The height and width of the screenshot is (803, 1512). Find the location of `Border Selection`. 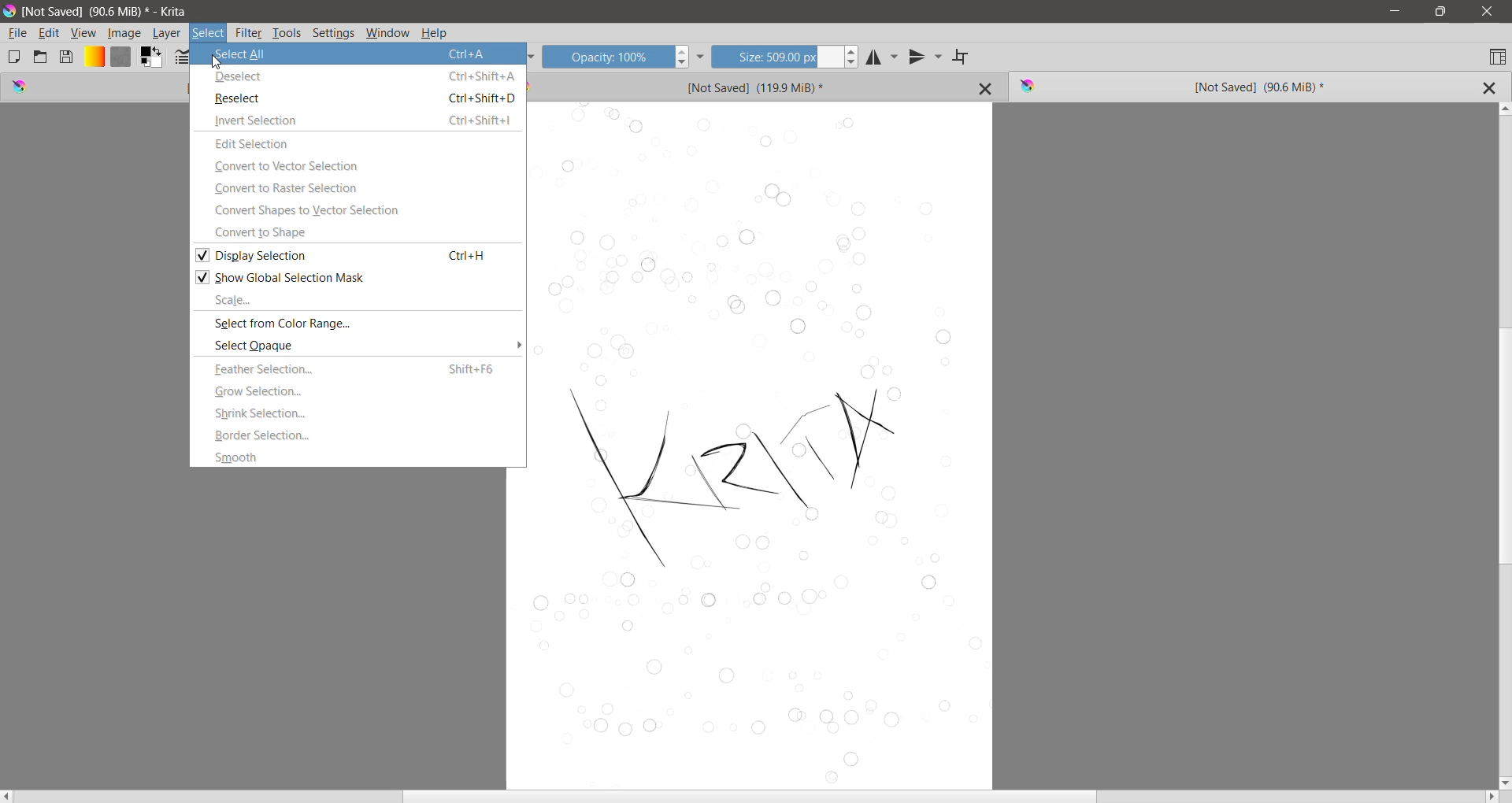

Border Selection is located at coordinates (359, 435).